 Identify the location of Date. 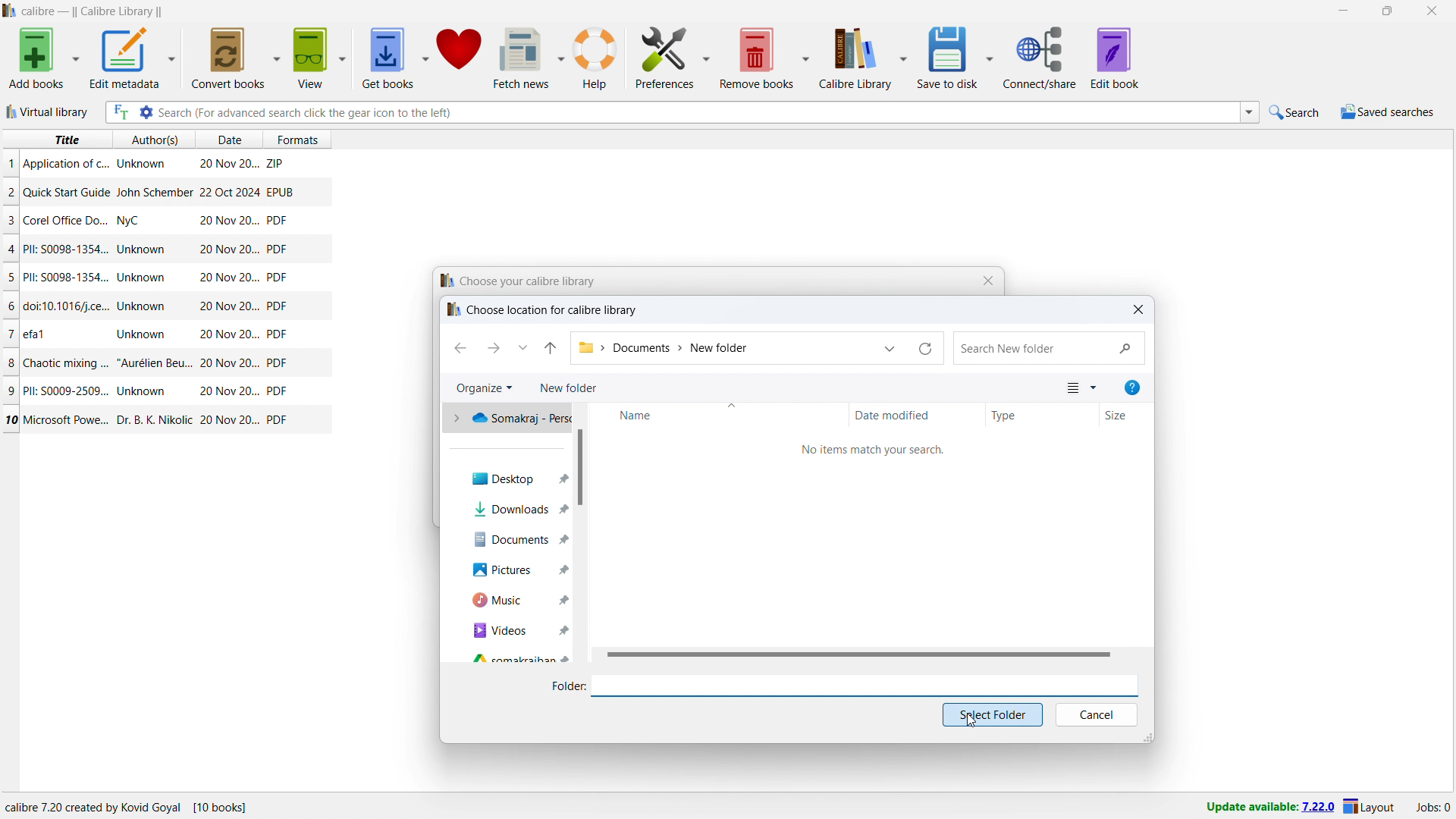
(227, 307).